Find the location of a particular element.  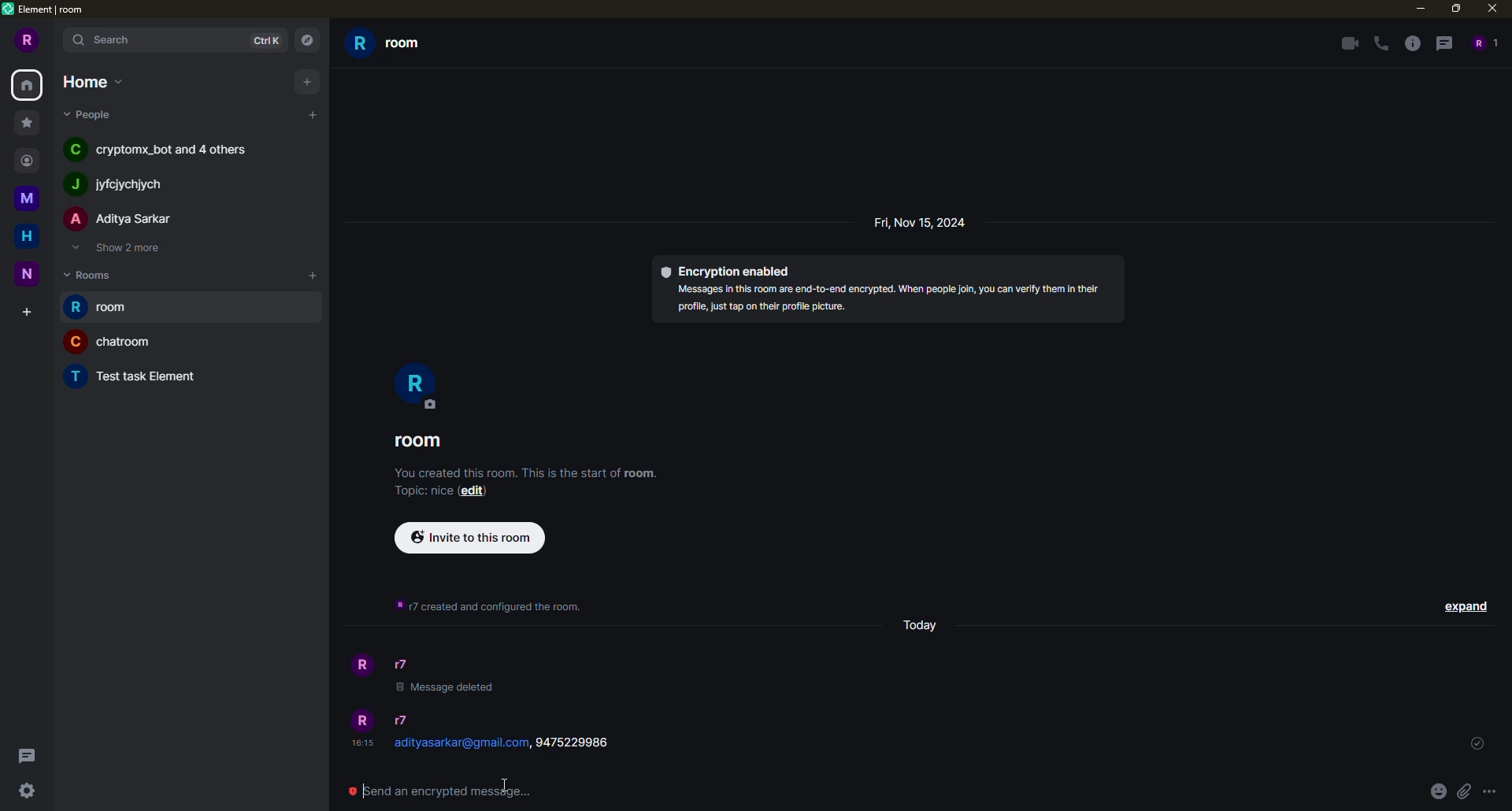

ctrlK is located at coordinates (265, 41).